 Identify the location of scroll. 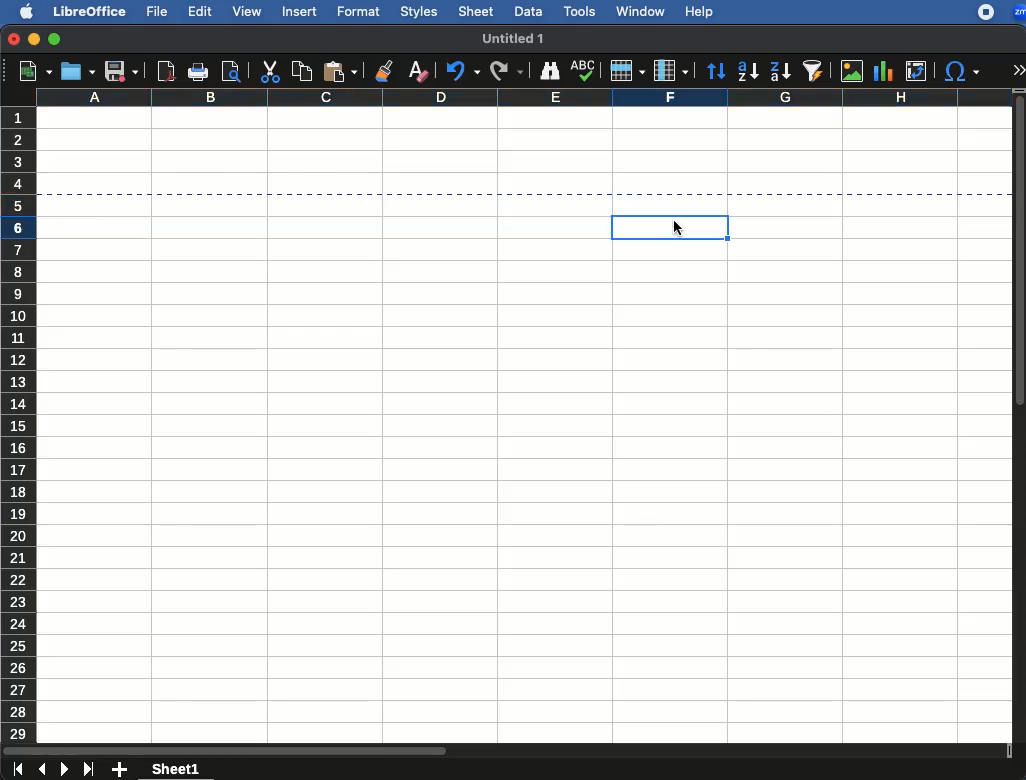
(1020, 417).